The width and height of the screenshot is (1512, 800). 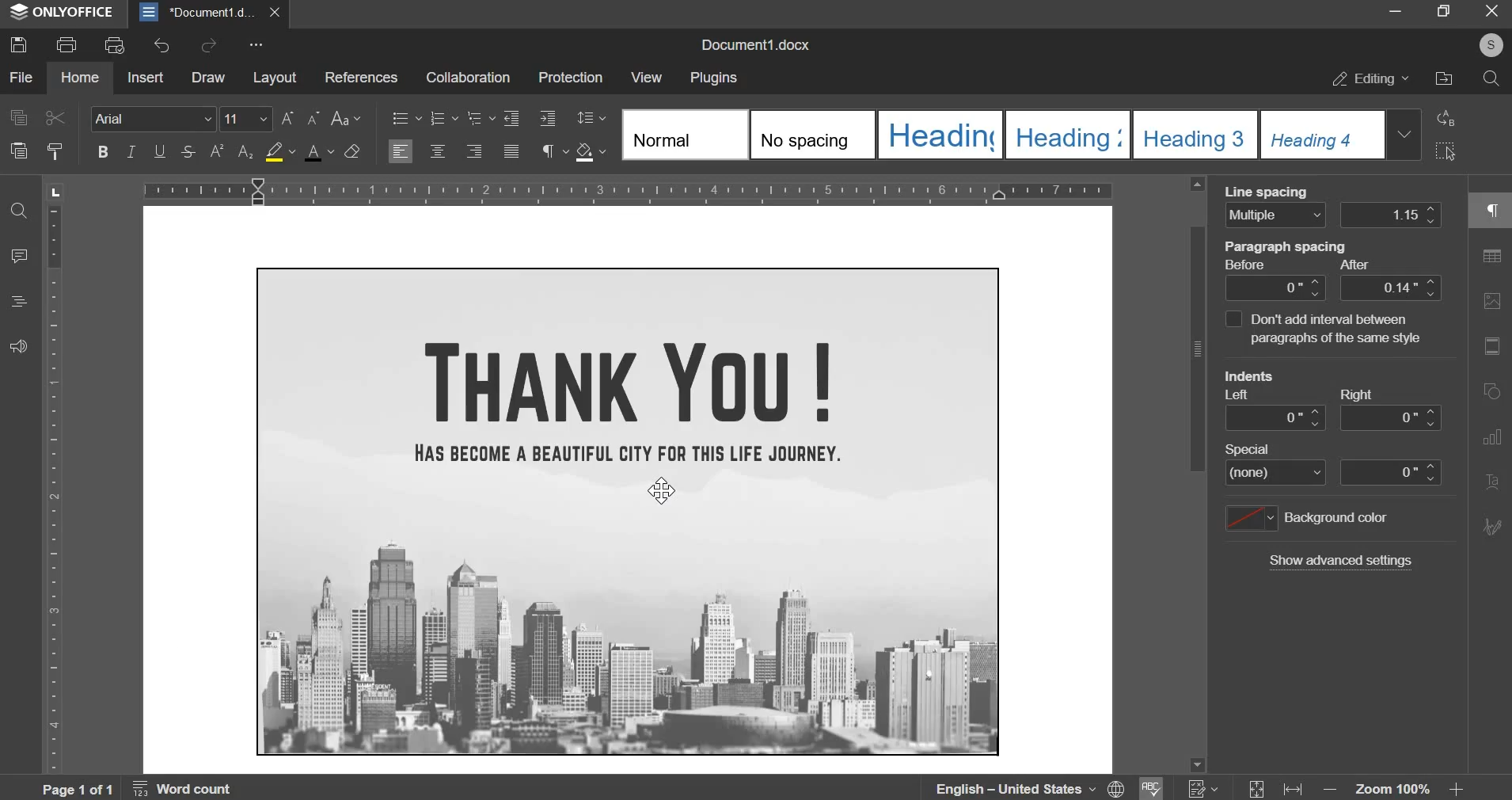 What do you see at coordinates (281, 150) in the screenshot?
I see `fill color` at bounding box center [281, 150].